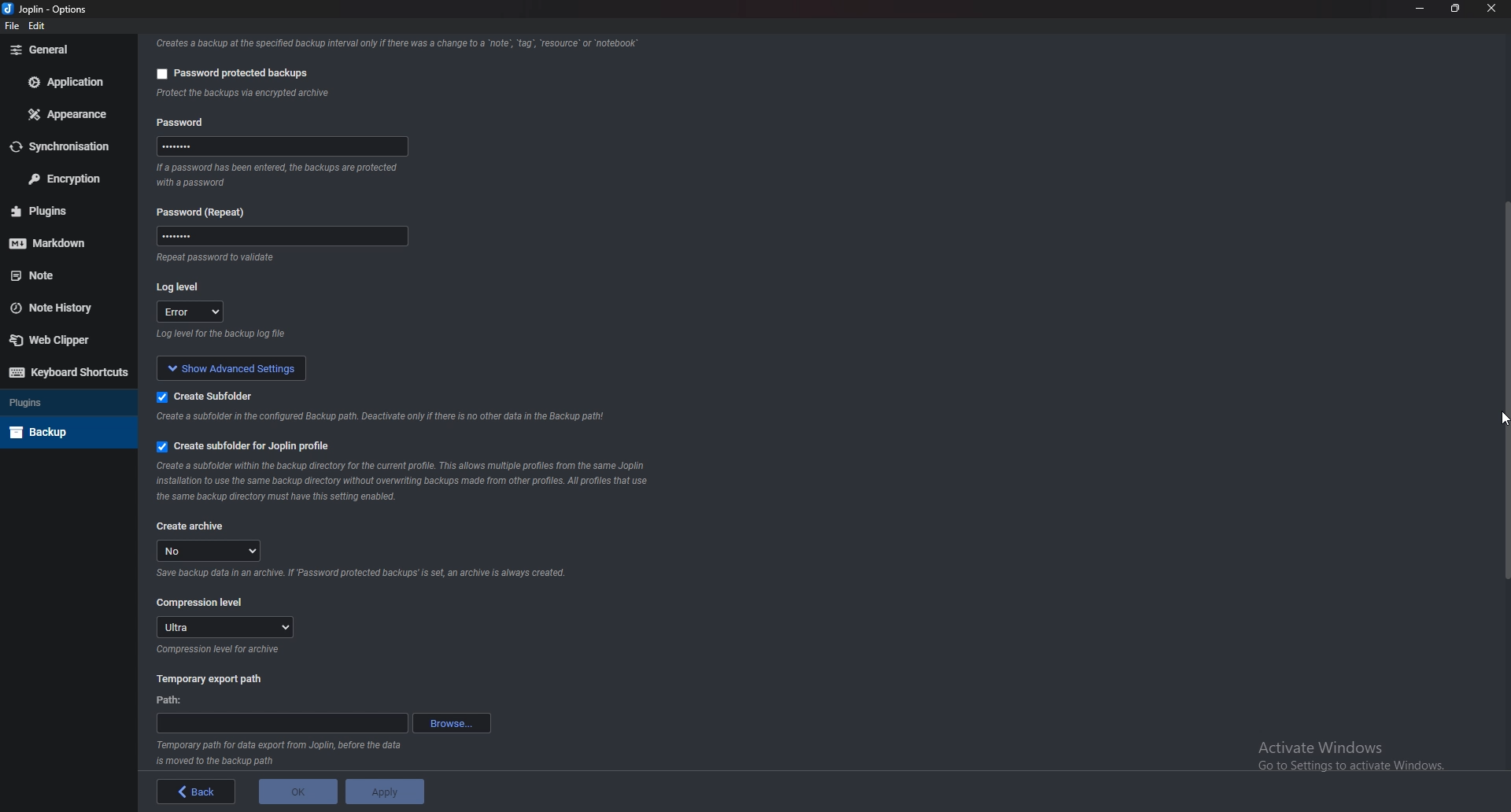 The image size is (1511, 812). Describe the element at coordinates (202, 602) in the screenshot. I see `Compression level` at that location.